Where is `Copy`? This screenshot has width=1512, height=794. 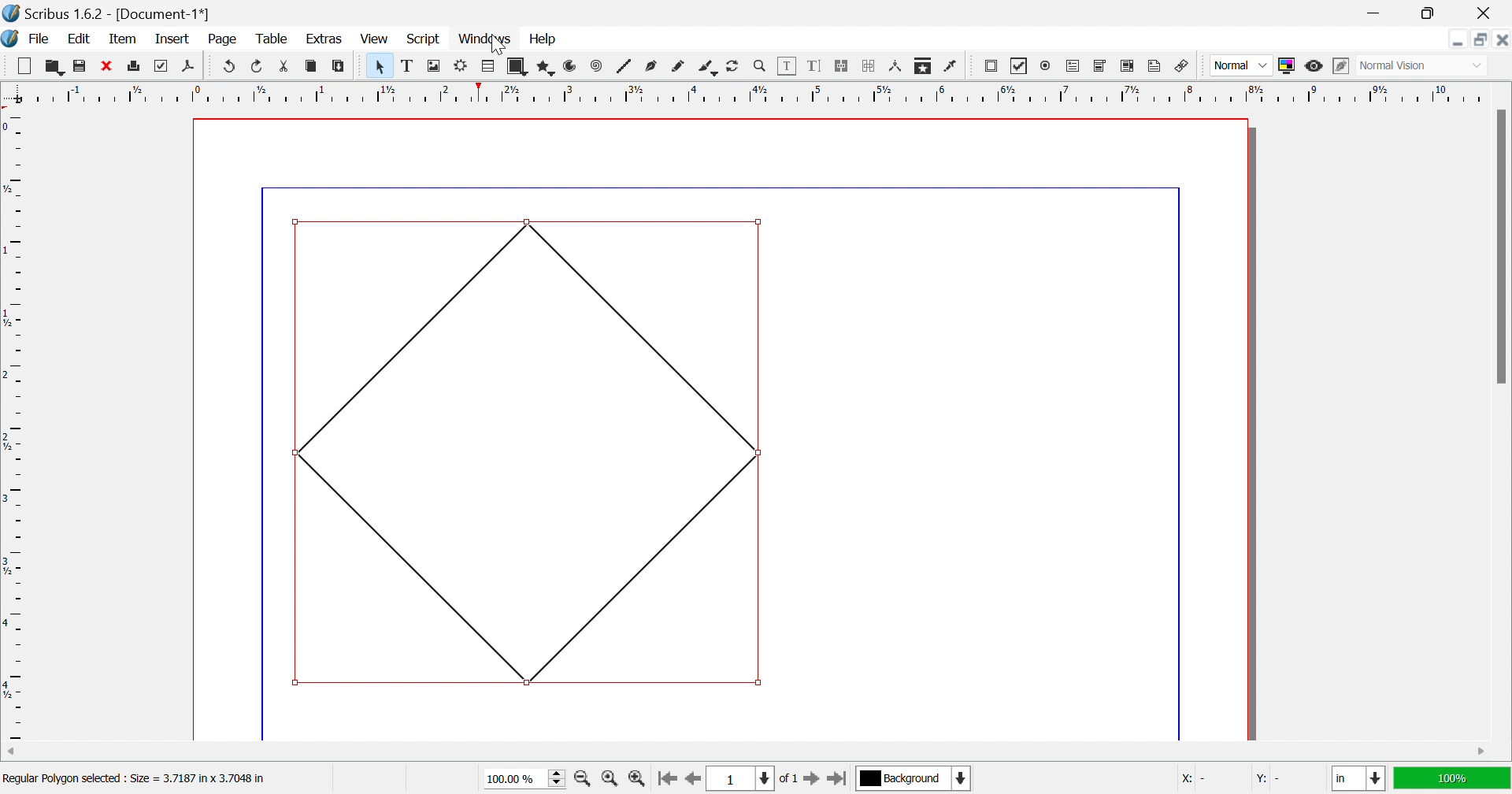
Copy is located at coordinates (311, 65).